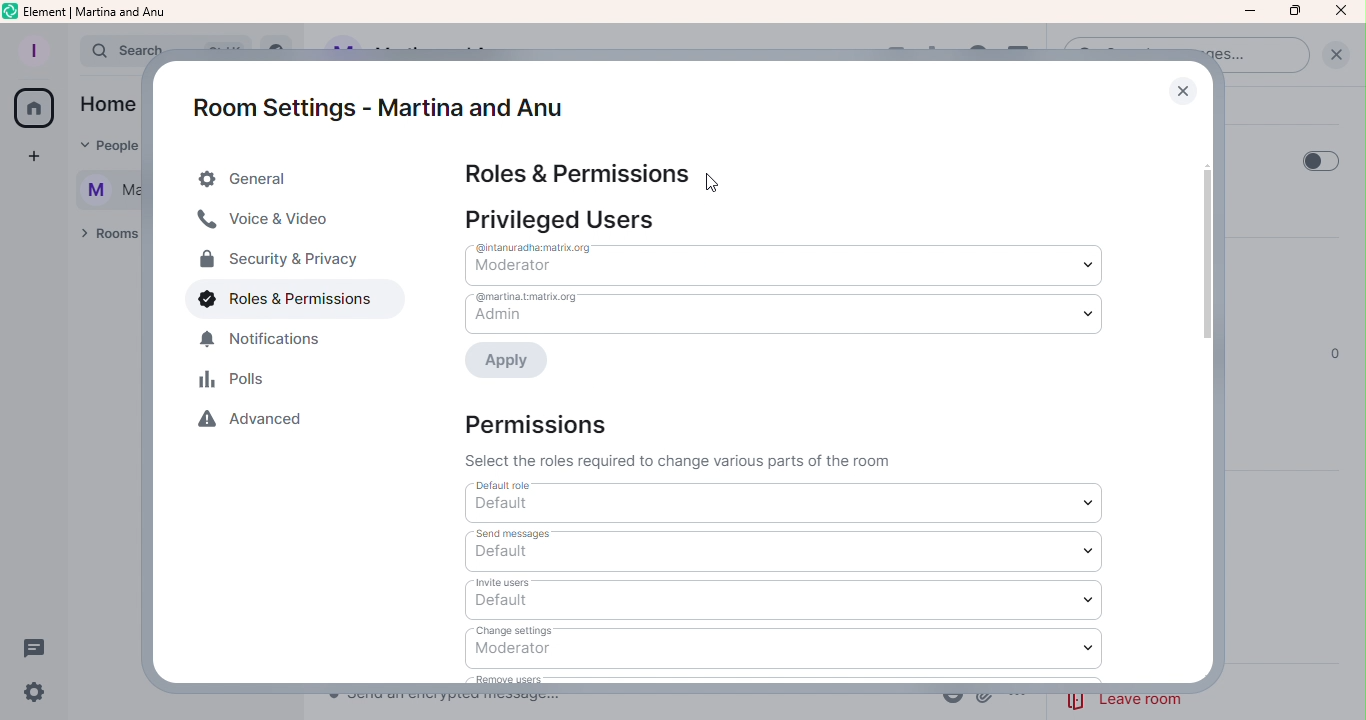 Image resolution: width=1366 pixels, height=720 pixels. I want to click on Roles and permissions, so click(580, 173).